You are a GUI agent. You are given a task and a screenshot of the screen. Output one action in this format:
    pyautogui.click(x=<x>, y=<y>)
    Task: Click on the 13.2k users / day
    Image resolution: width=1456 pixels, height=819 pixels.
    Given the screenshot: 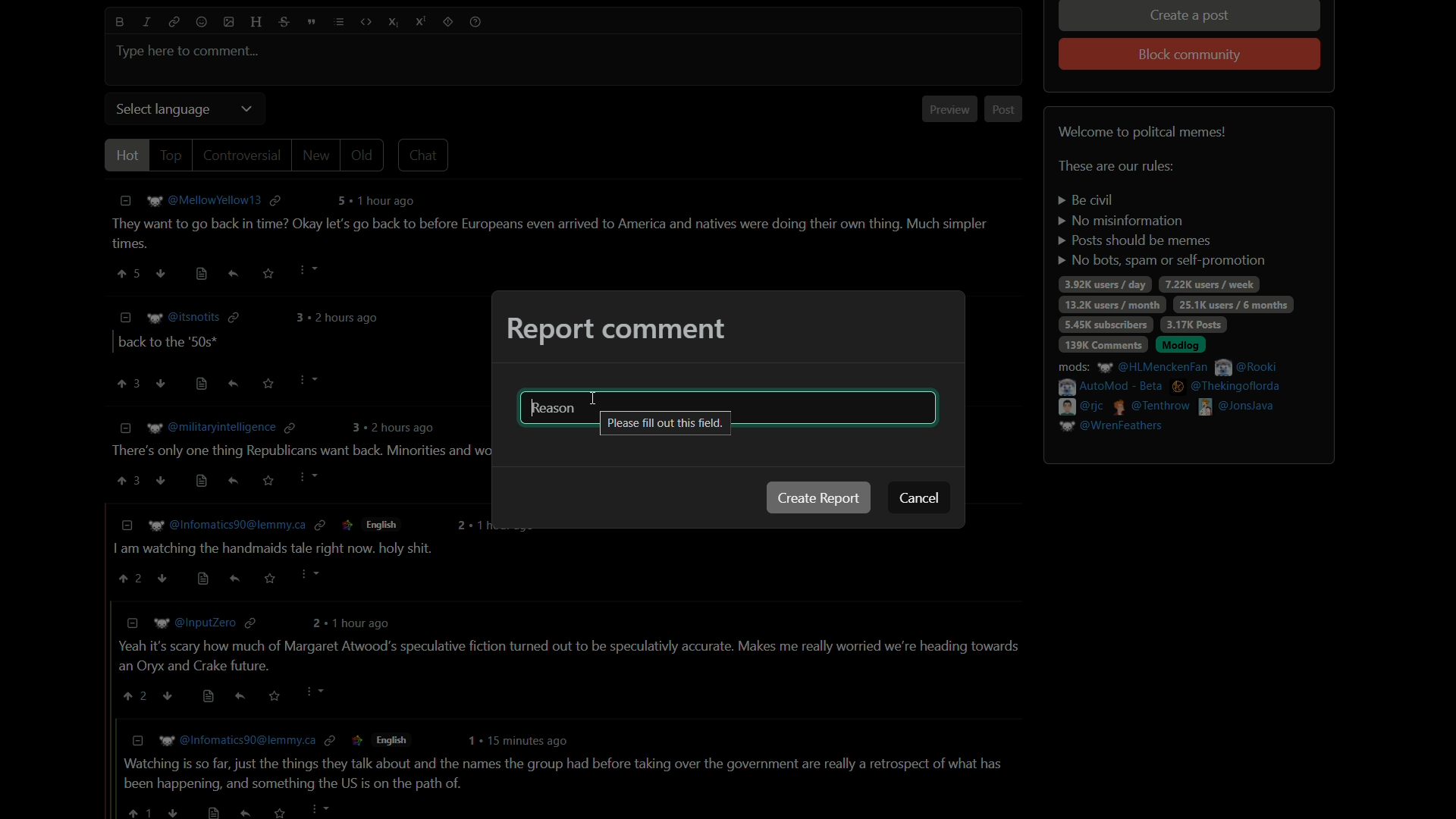 What is the action you would take?
    pyautogui.click(x=1111, y=304)
    